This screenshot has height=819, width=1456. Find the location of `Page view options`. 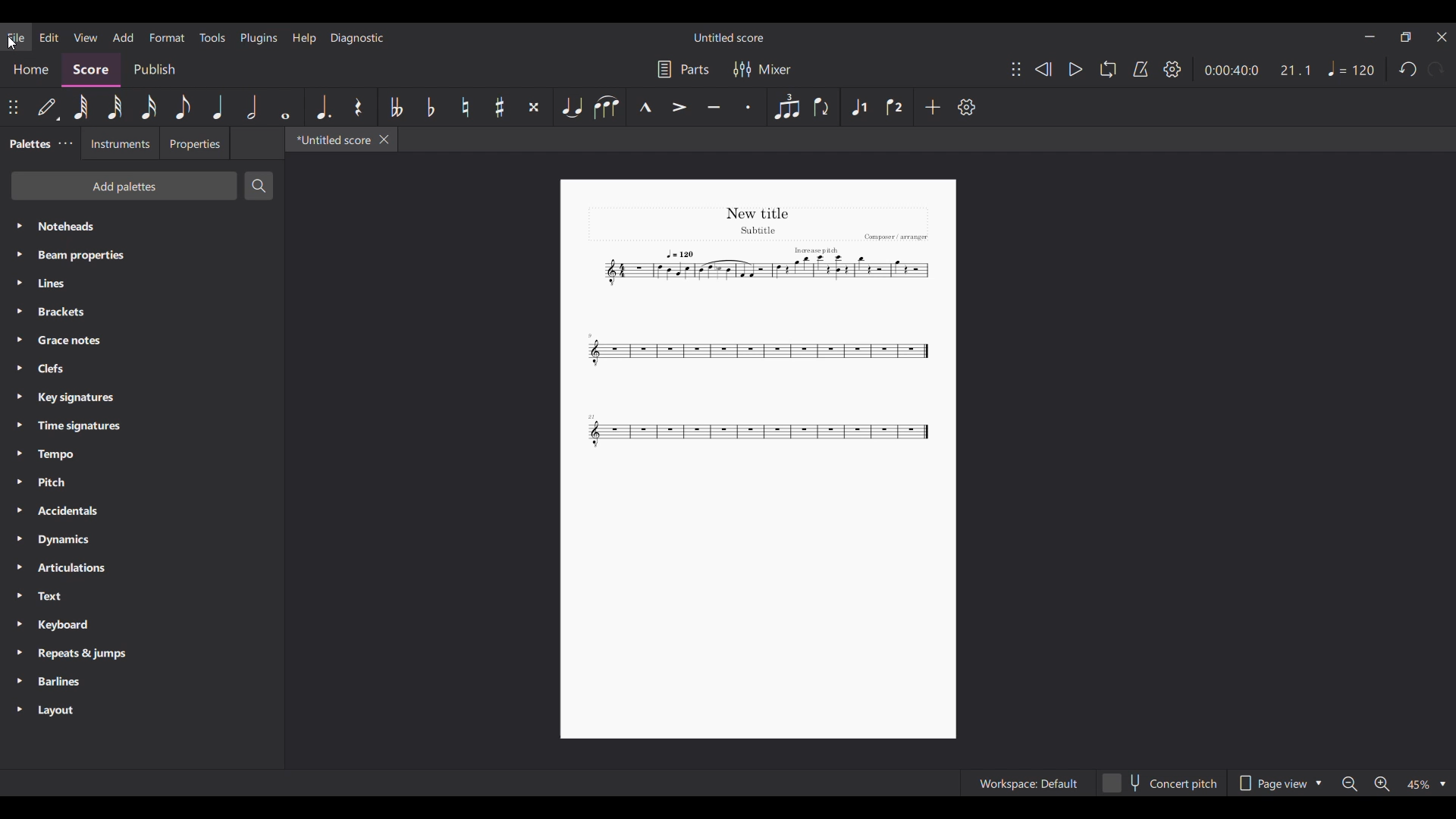

Page view options is located at coordinates (1278, 783).